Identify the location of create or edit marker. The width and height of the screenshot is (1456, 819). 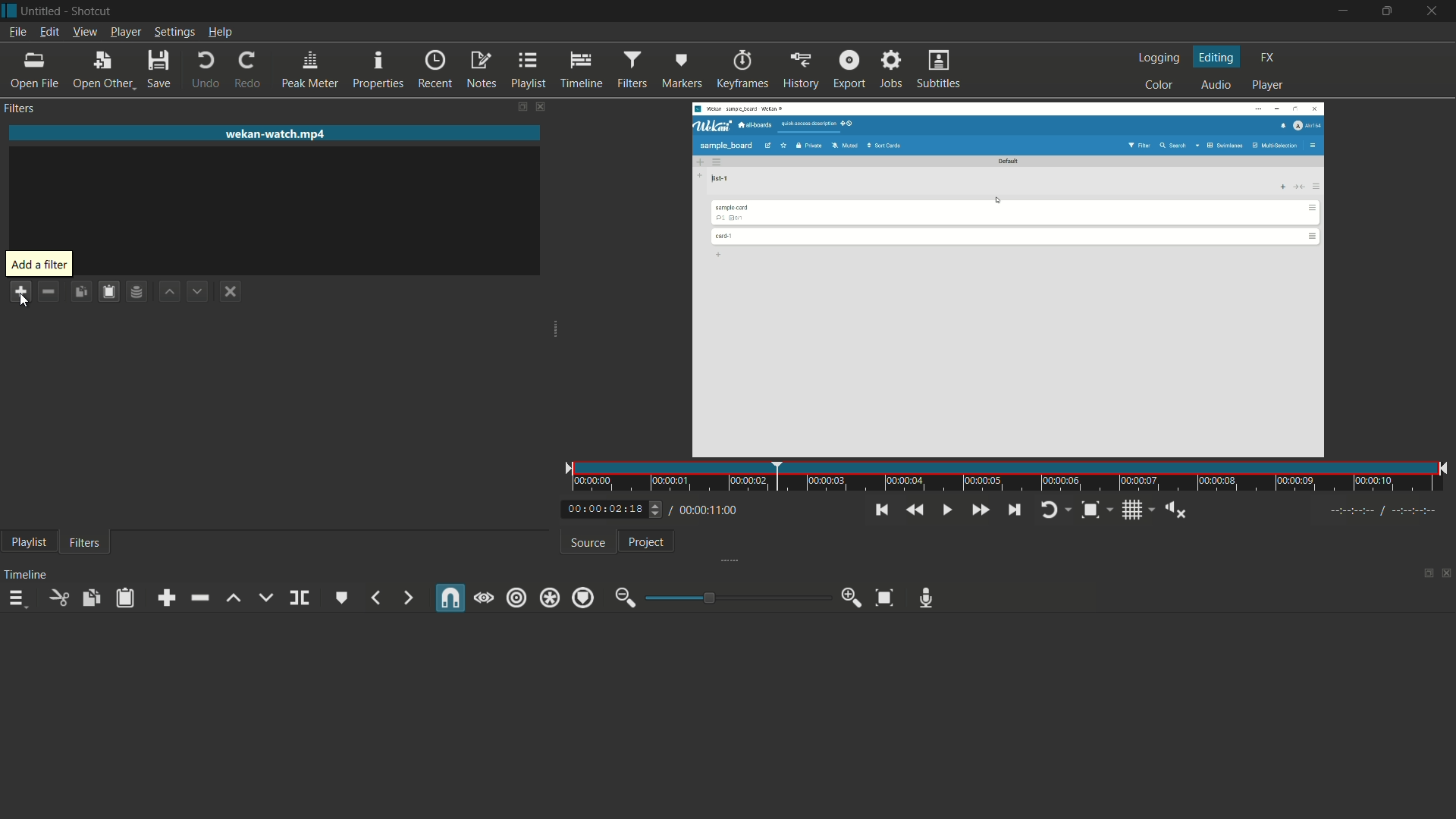
(342, 598).